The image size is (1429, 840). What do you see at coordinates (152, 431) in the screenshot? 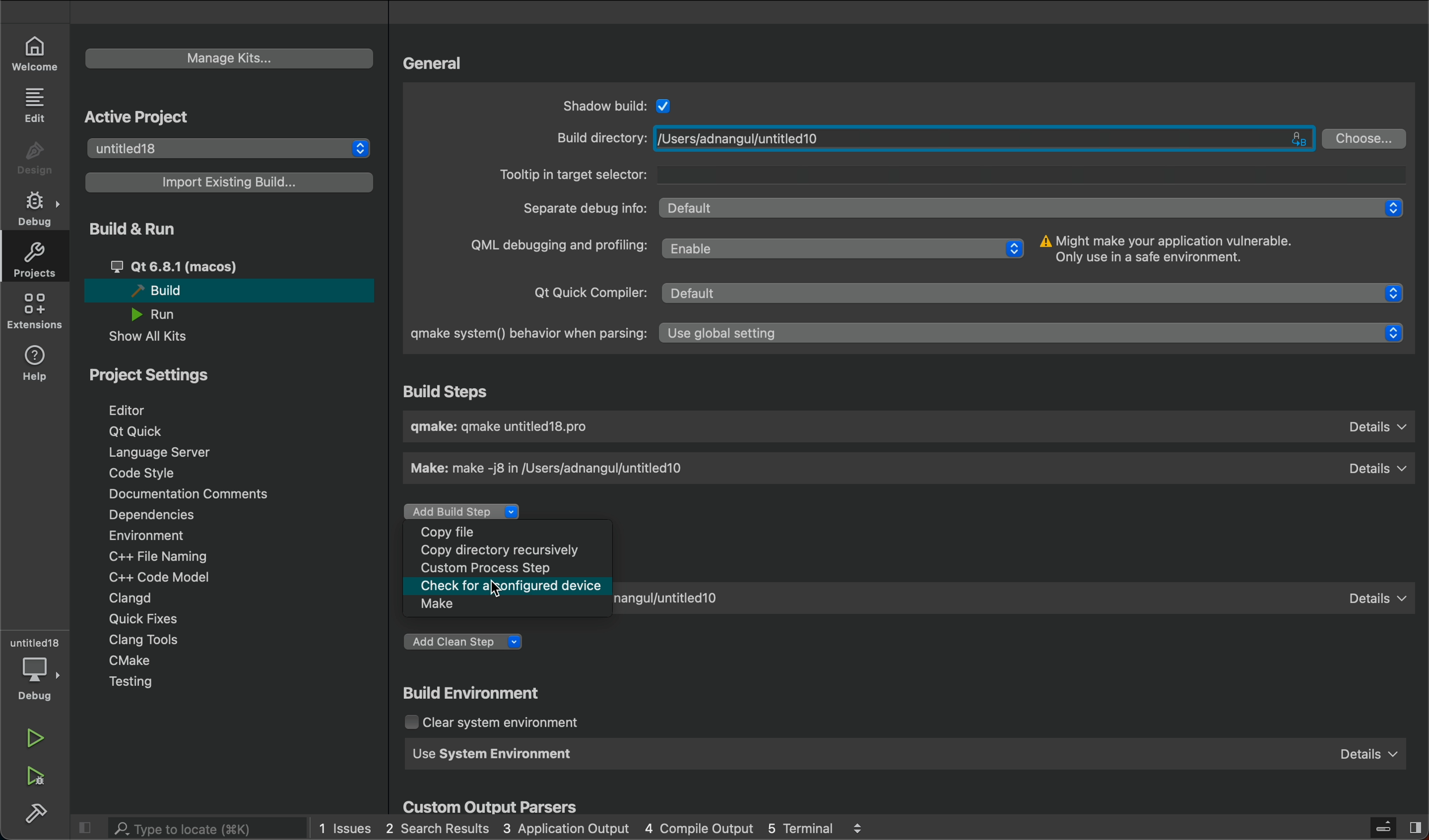
I see `qt quick` at bounding box center [152, 431].